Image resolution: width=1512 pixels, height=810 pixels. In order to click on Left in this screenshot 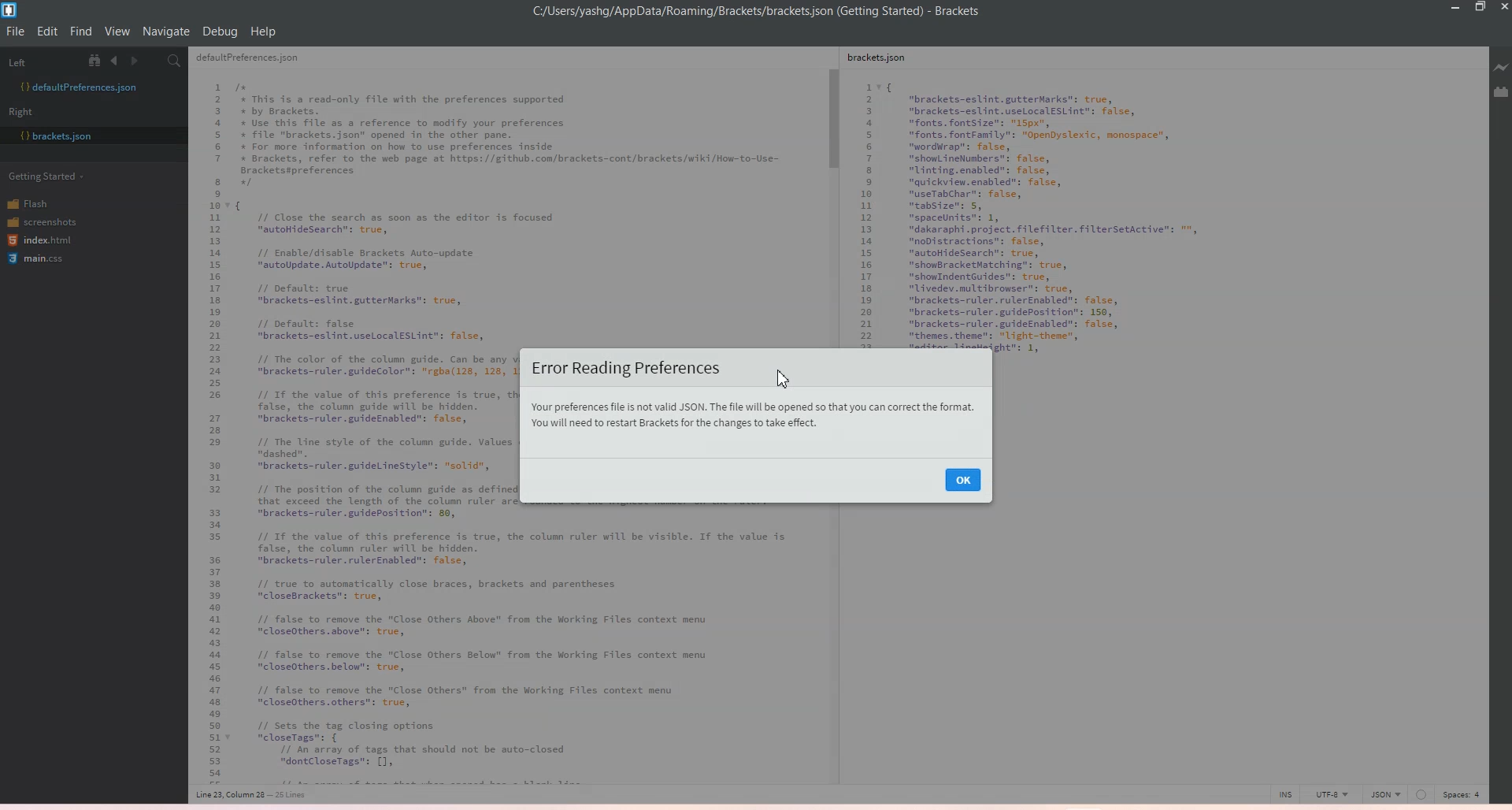, I will do `click(39, 60)`.